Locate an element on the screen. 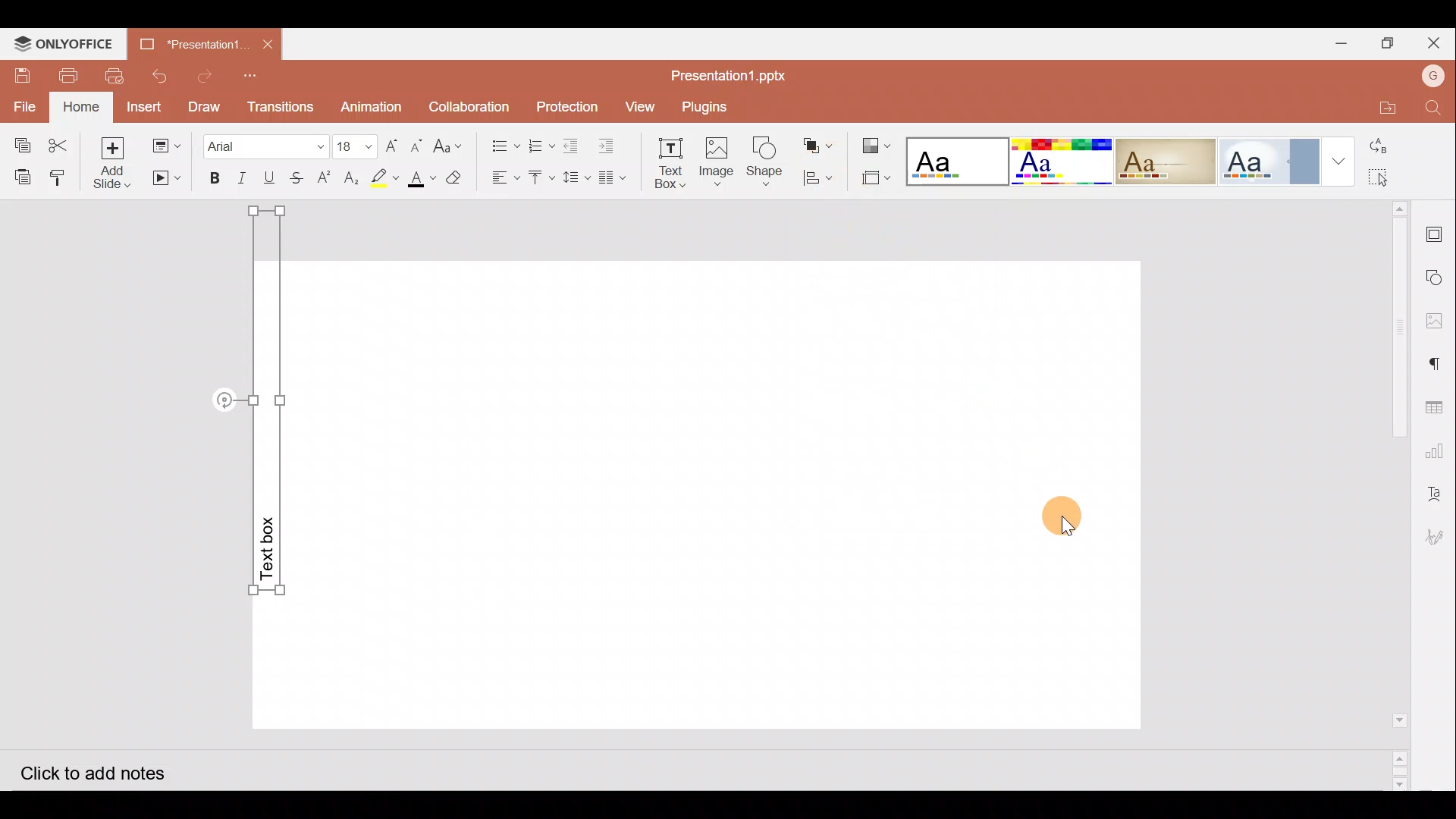 Image resolution: width=1456 pixels, height=819 pixels. Line spacing is located at coordinates (578, 178).